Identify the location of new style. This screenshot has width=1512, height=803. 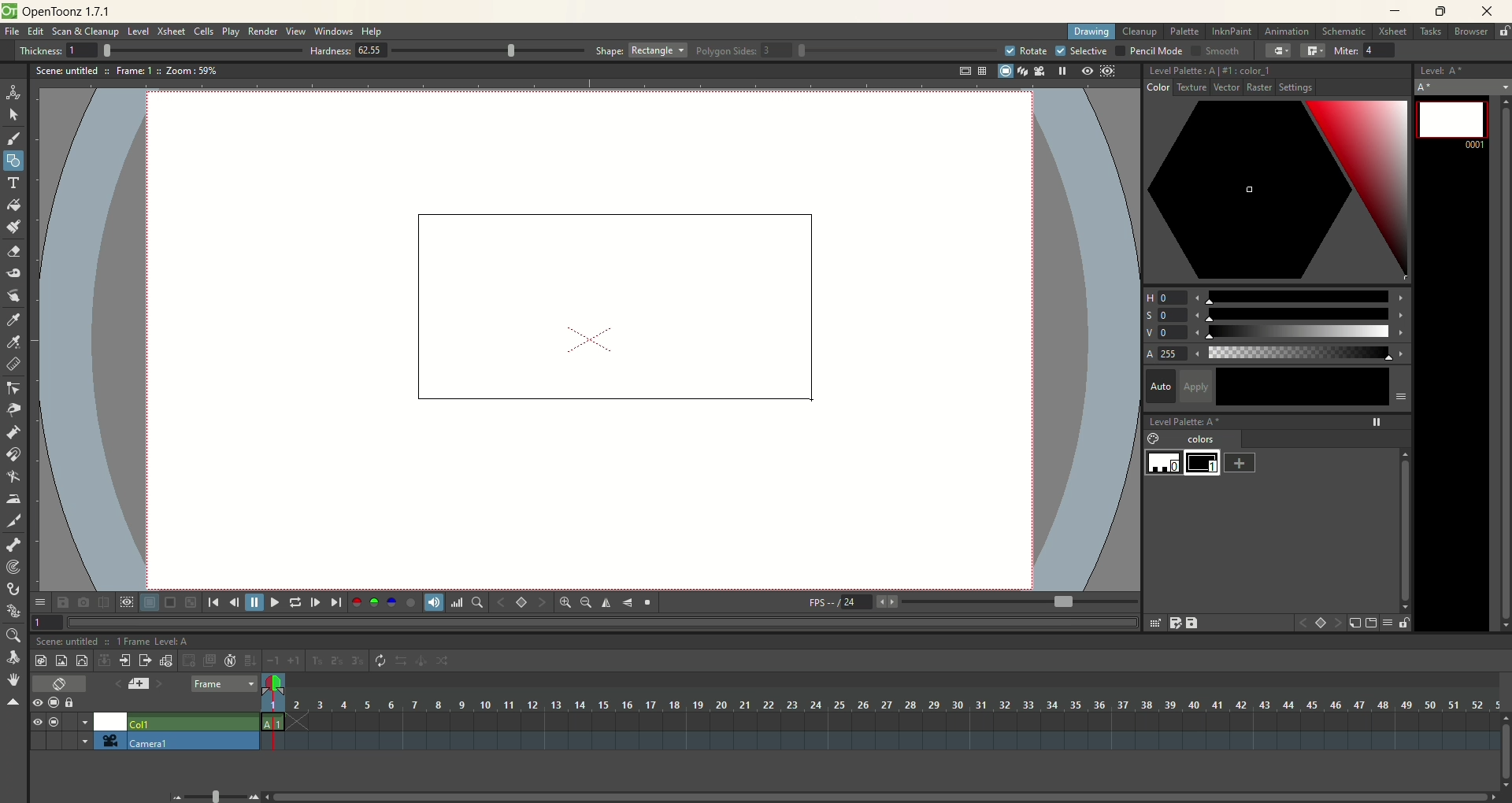
(1354, 624).